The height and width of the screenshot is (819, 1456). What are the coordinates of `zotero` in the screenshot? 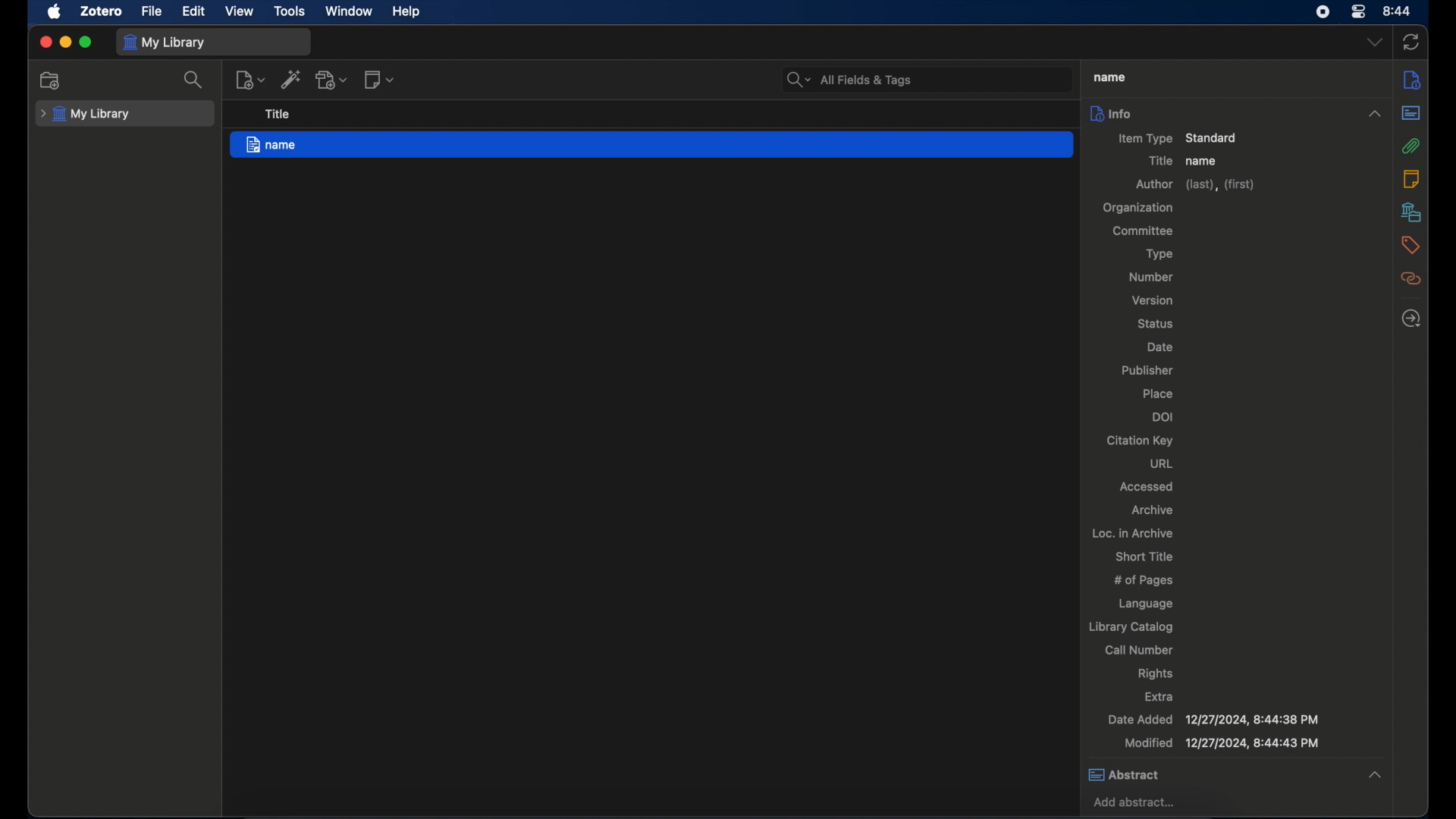 It's located at (102, 12).